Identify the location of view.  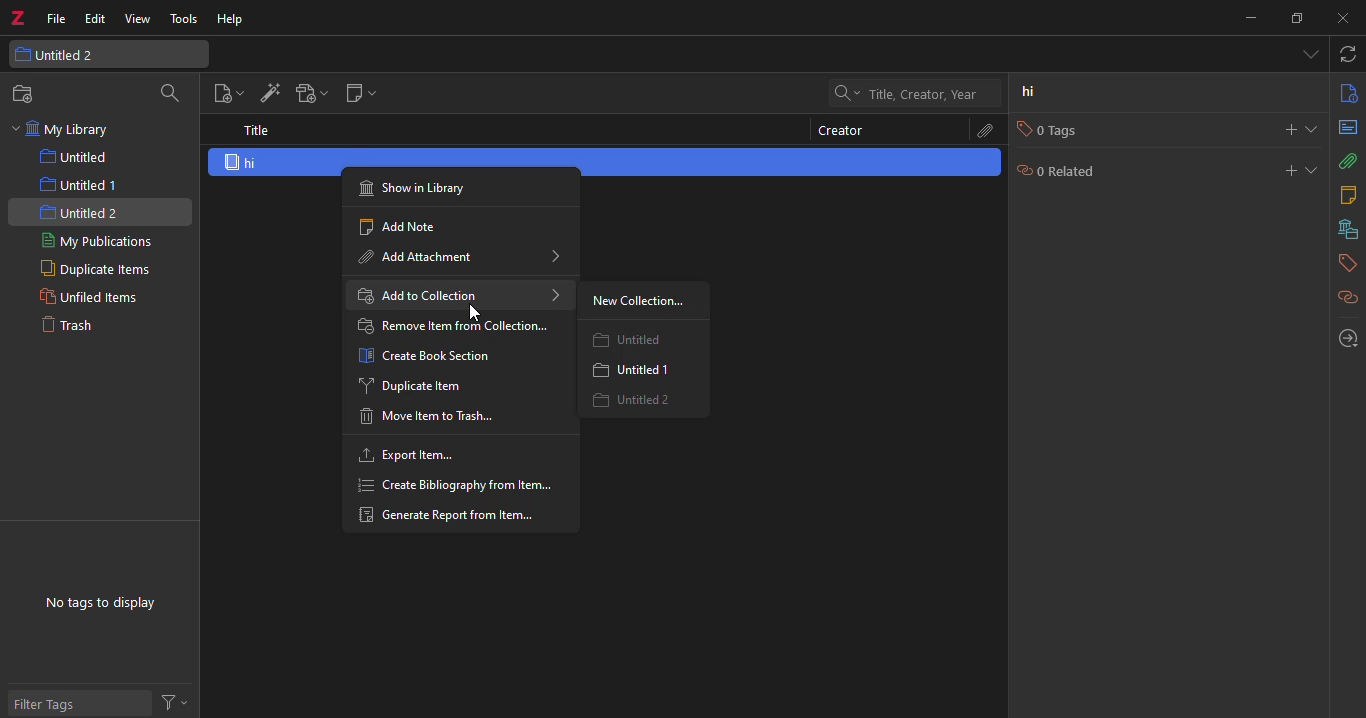
(137, 20).